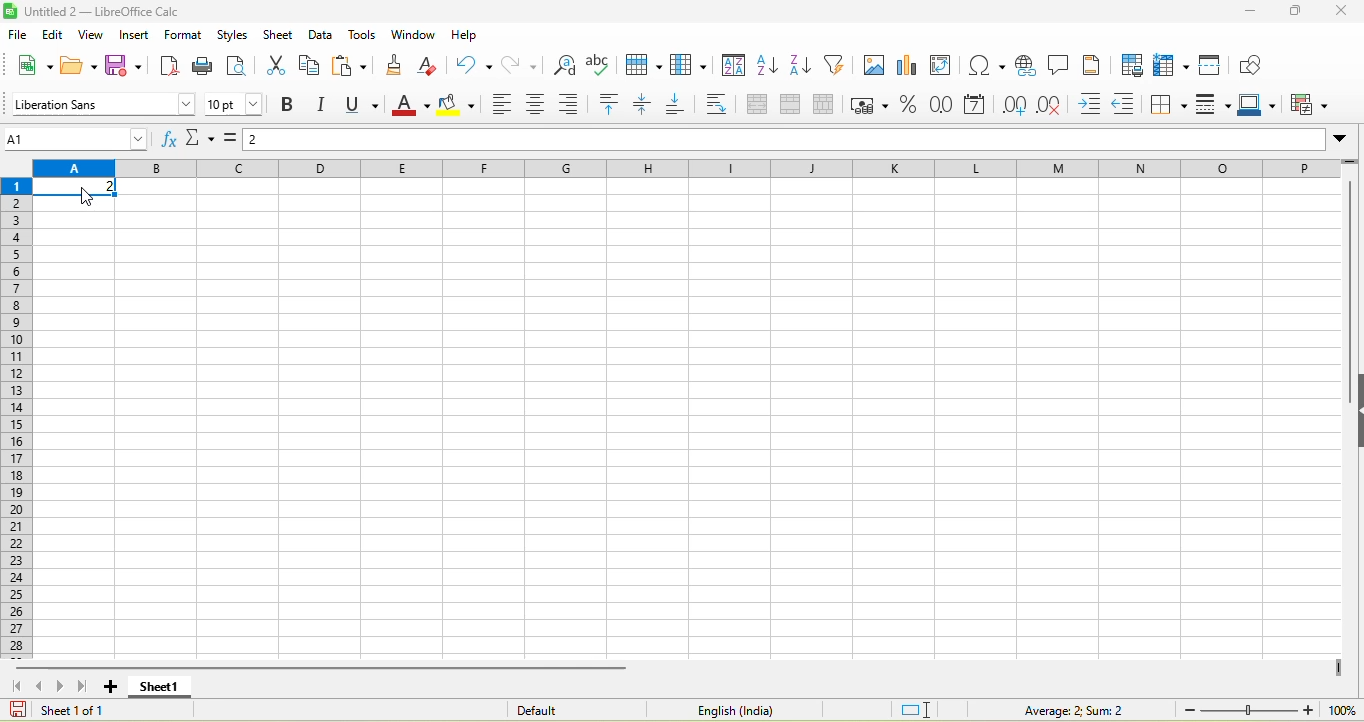 This screenshot has width=1364, height=722. I want to click on rows and column, so click(1171, 65).